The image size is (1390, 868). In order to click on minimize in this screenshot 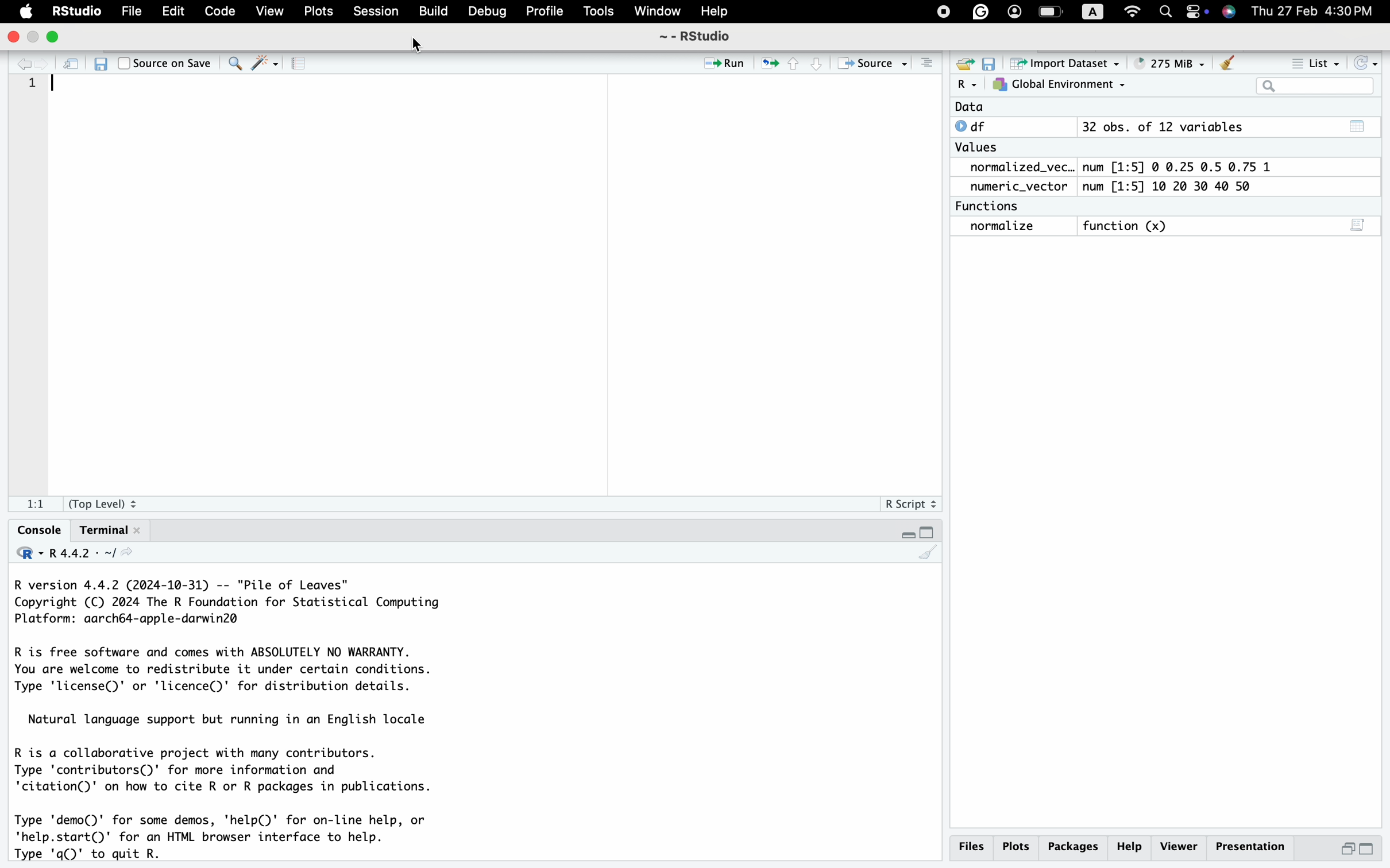, I will do `click(1347, 849)`.